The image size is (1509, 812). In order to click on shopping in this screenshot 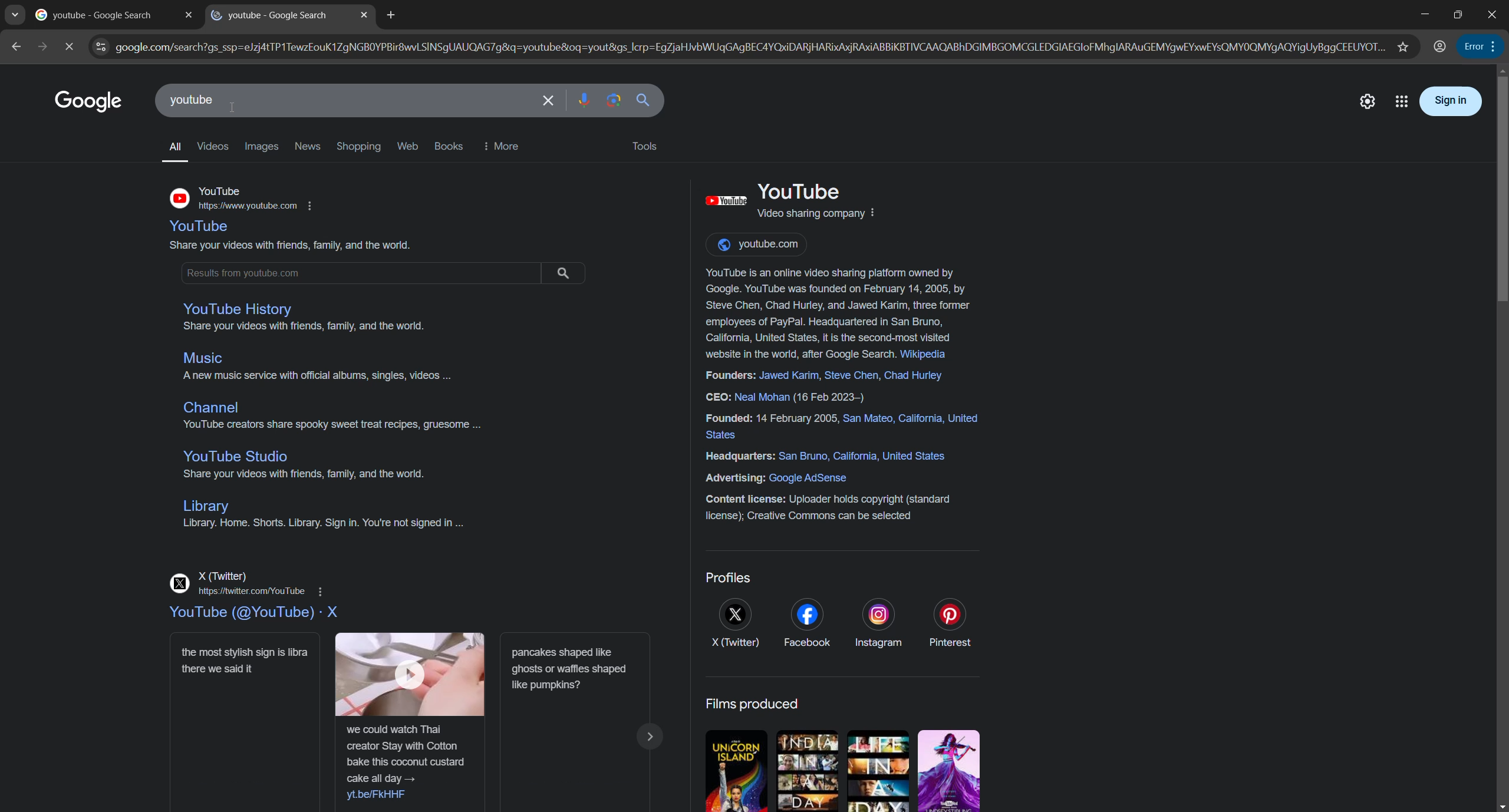, I will do `click(360, 146)`.